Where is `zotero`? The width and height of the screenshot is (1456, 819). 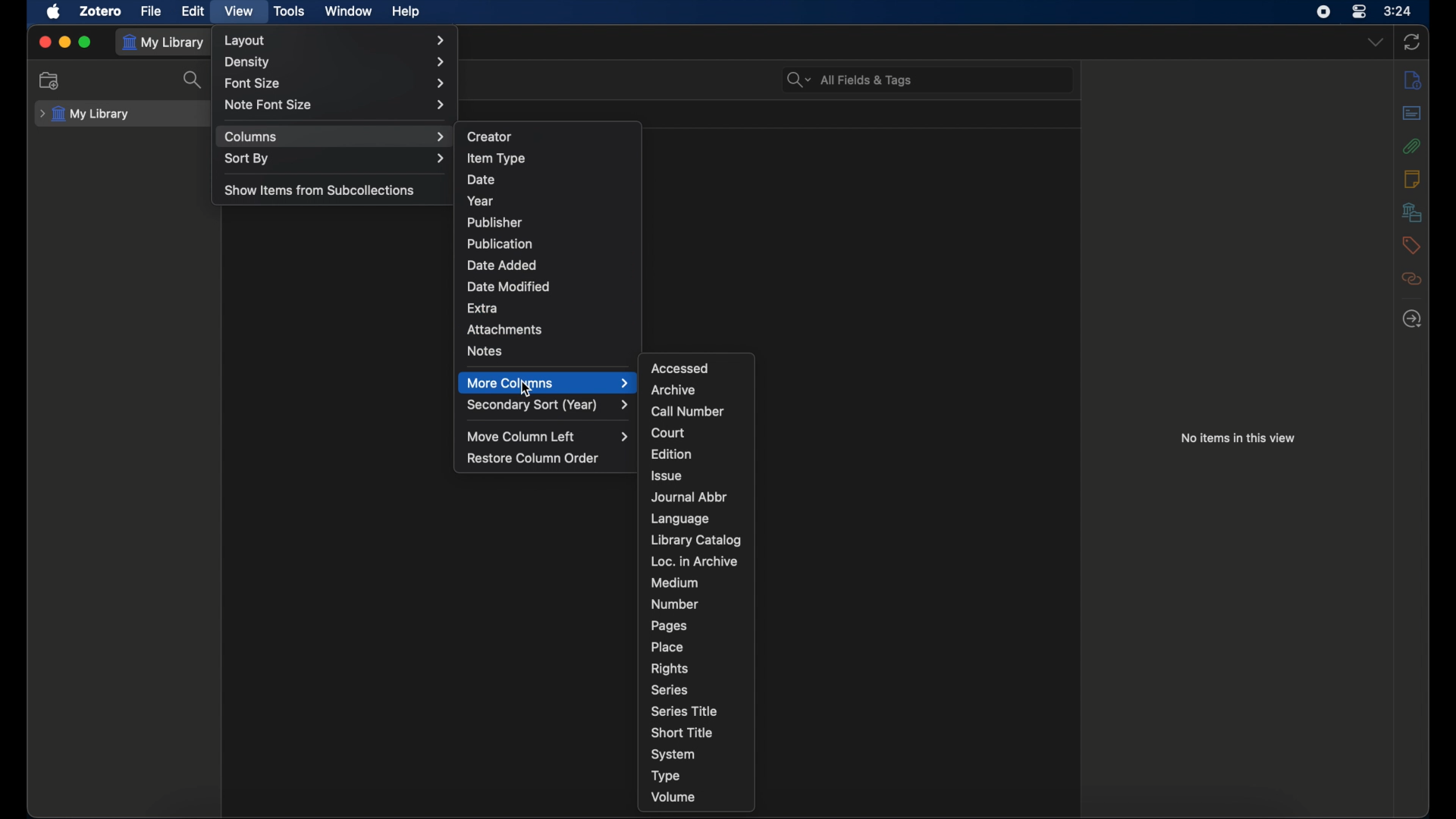 zotero is located at coordinates (102, 11).